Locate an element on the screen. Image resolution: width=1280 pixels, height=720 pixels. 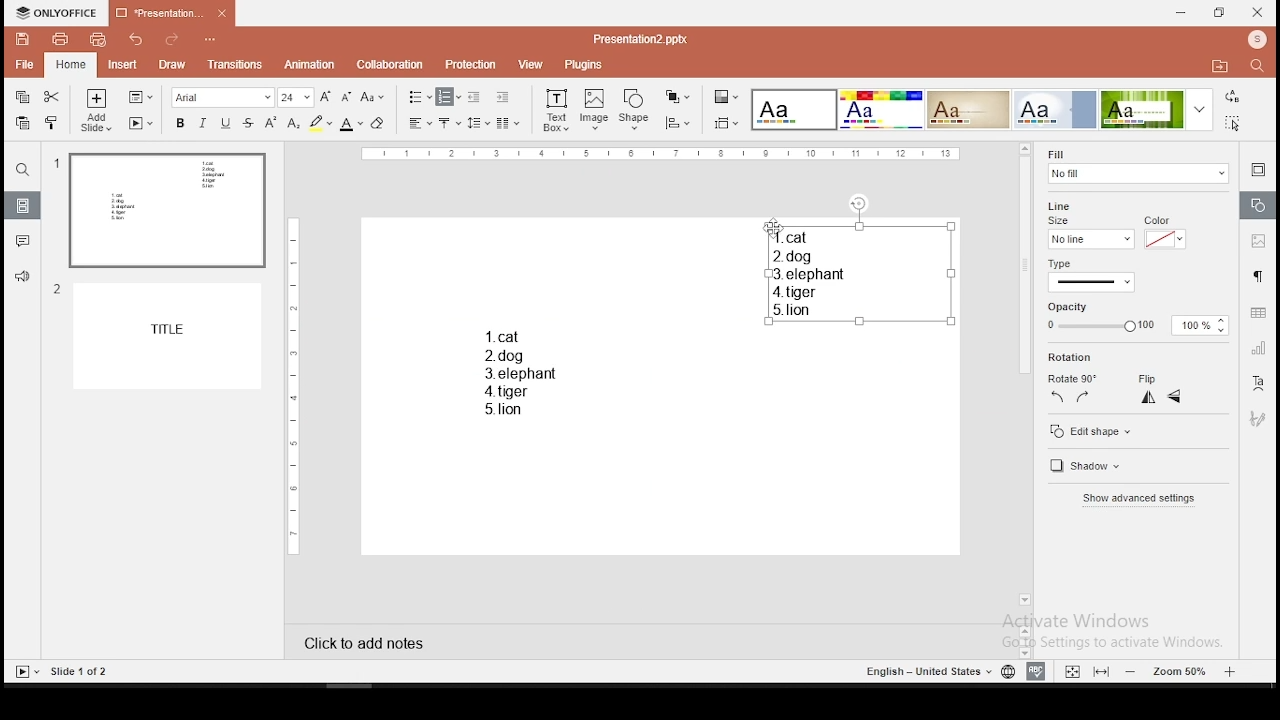
fit to slide is located at coordinates (1072, 669).